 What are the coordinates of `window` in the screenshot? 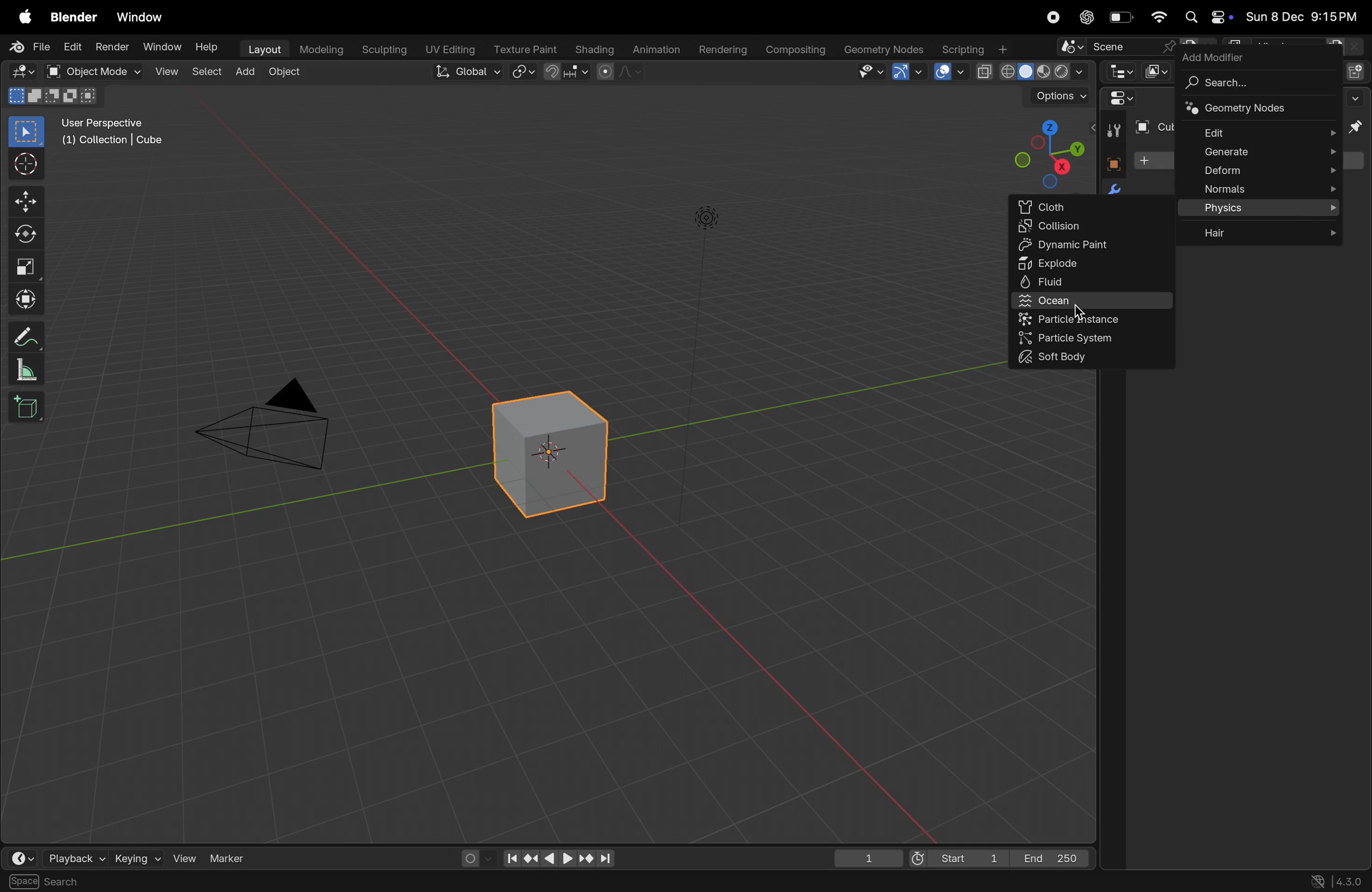 It's located at (160, 47).